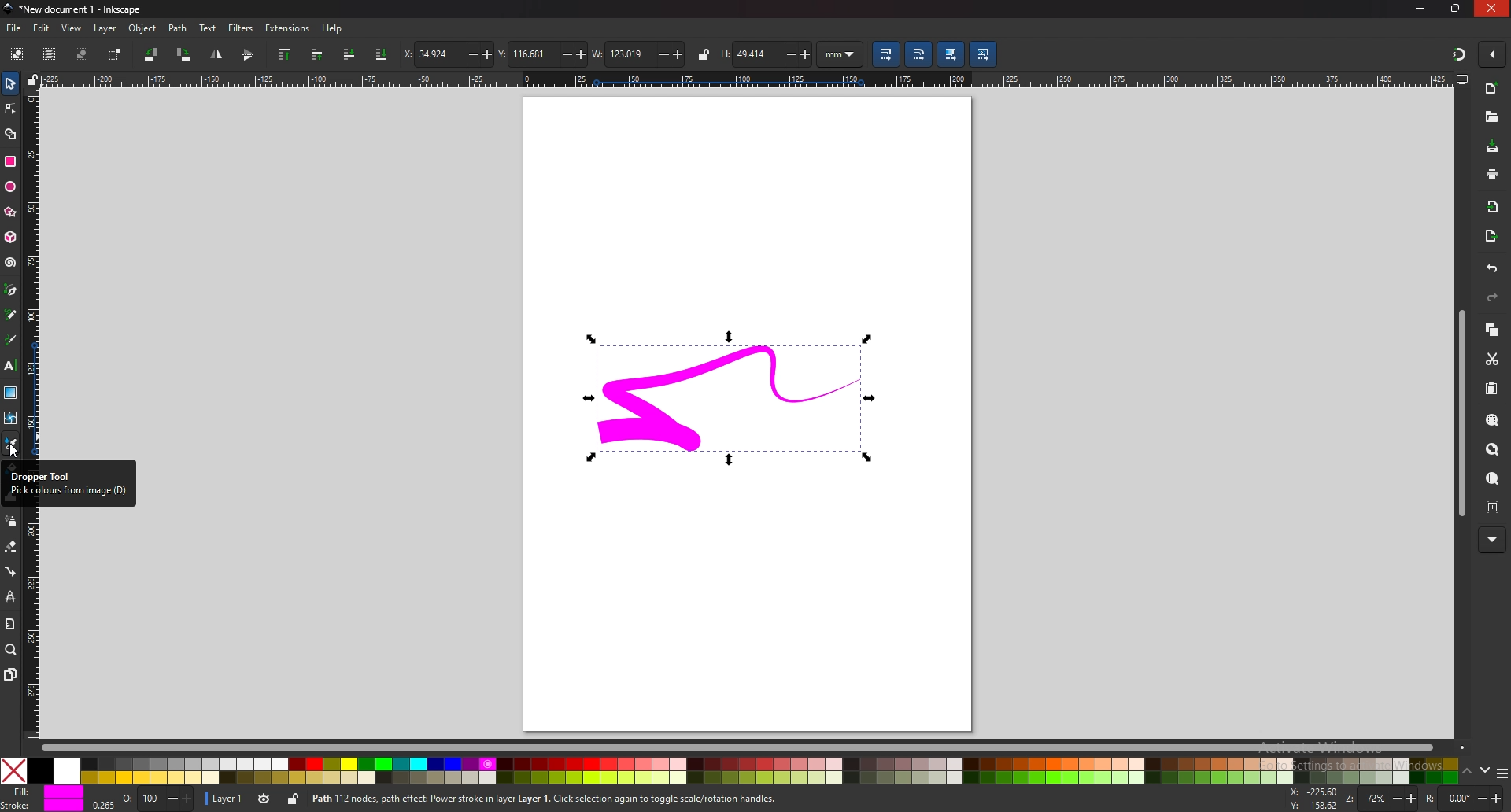 The height and width of the screenshot is (812, 1511). I want to click on scroll bar, so click(1462, 415).